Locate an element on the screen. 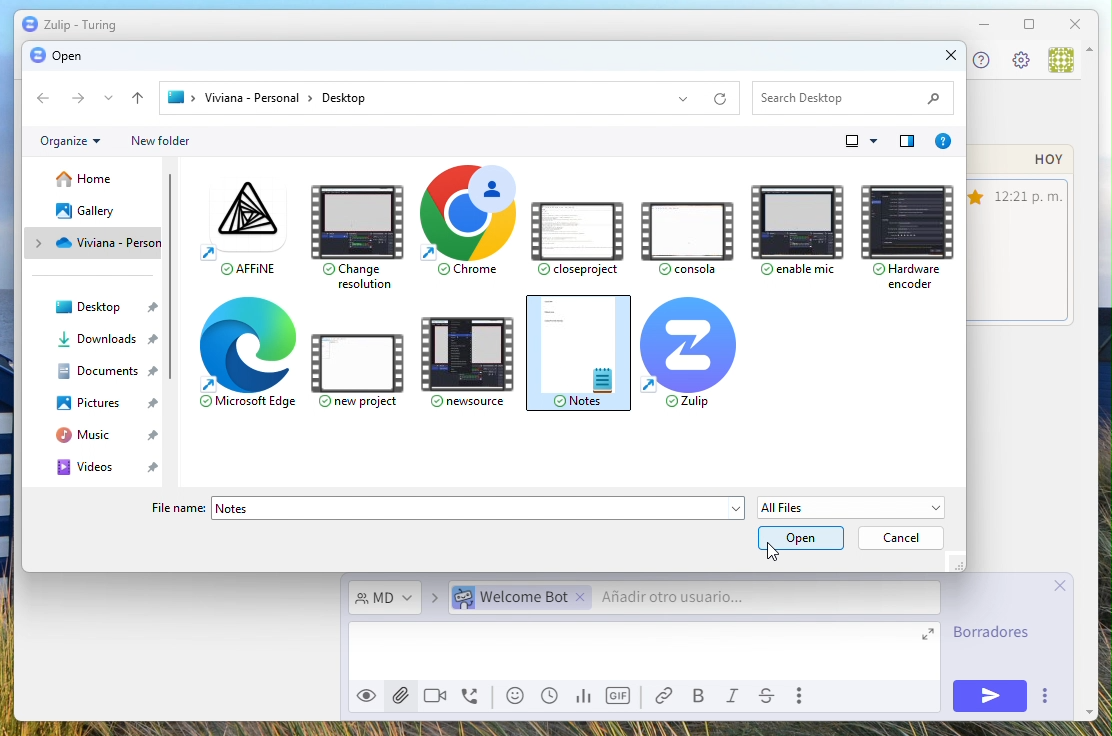 The width and height of the screenshot is (1112, 736). close is located at coordinates (1065, 585).